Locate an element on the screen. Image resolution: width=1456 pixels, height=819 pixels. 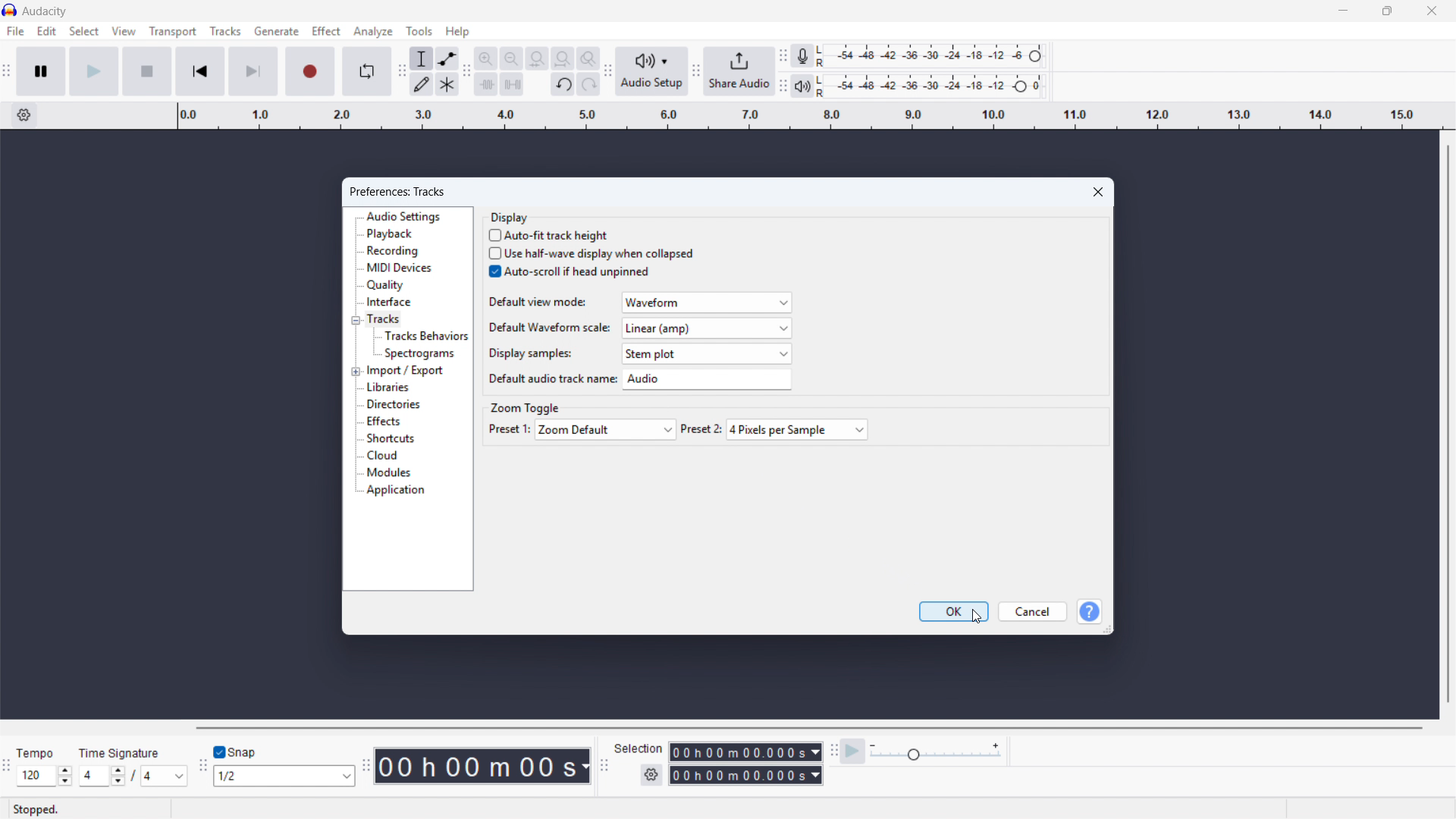
close is located at coordinates (1098, 191).